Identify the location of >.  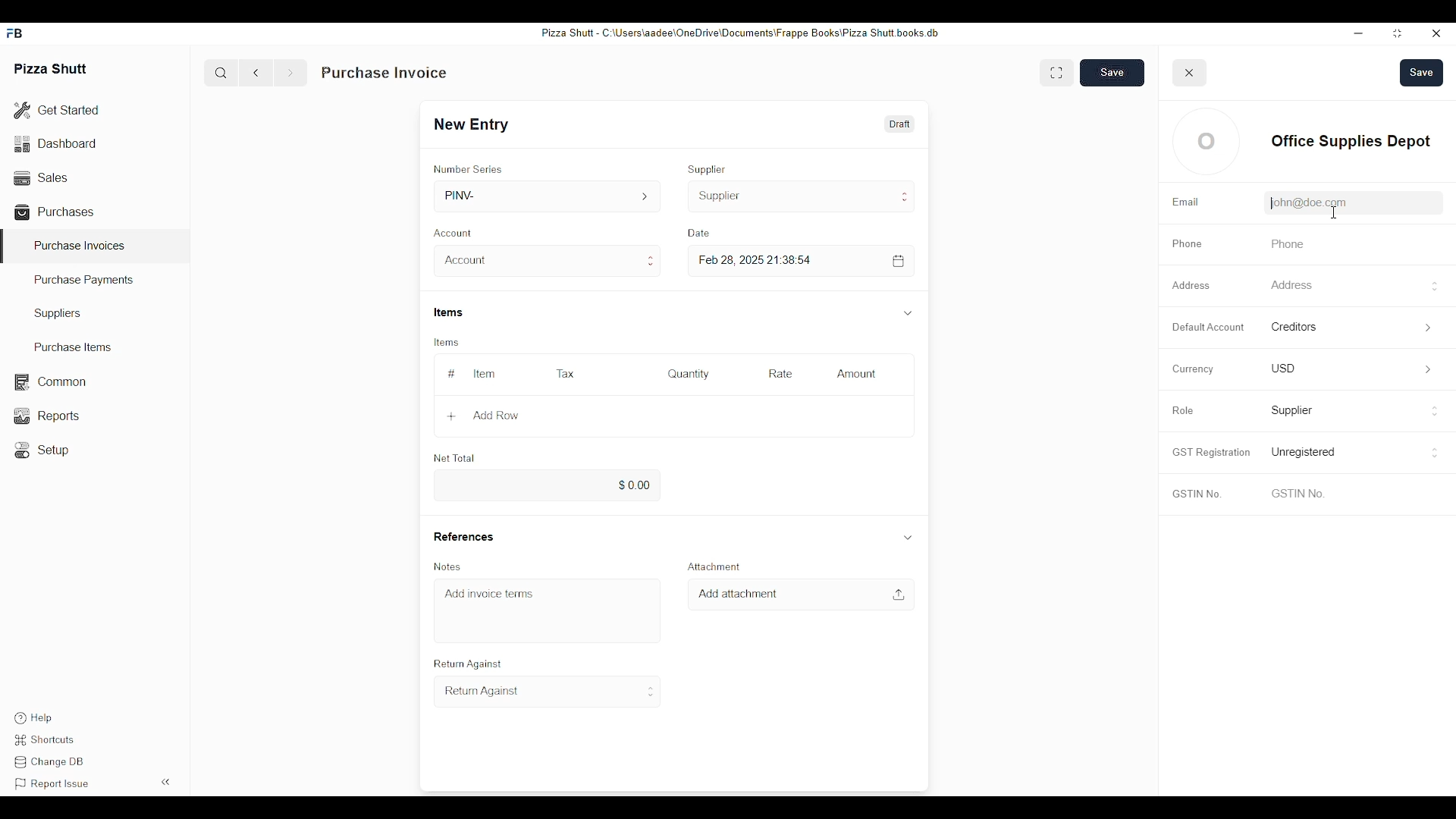
(1428, 370).